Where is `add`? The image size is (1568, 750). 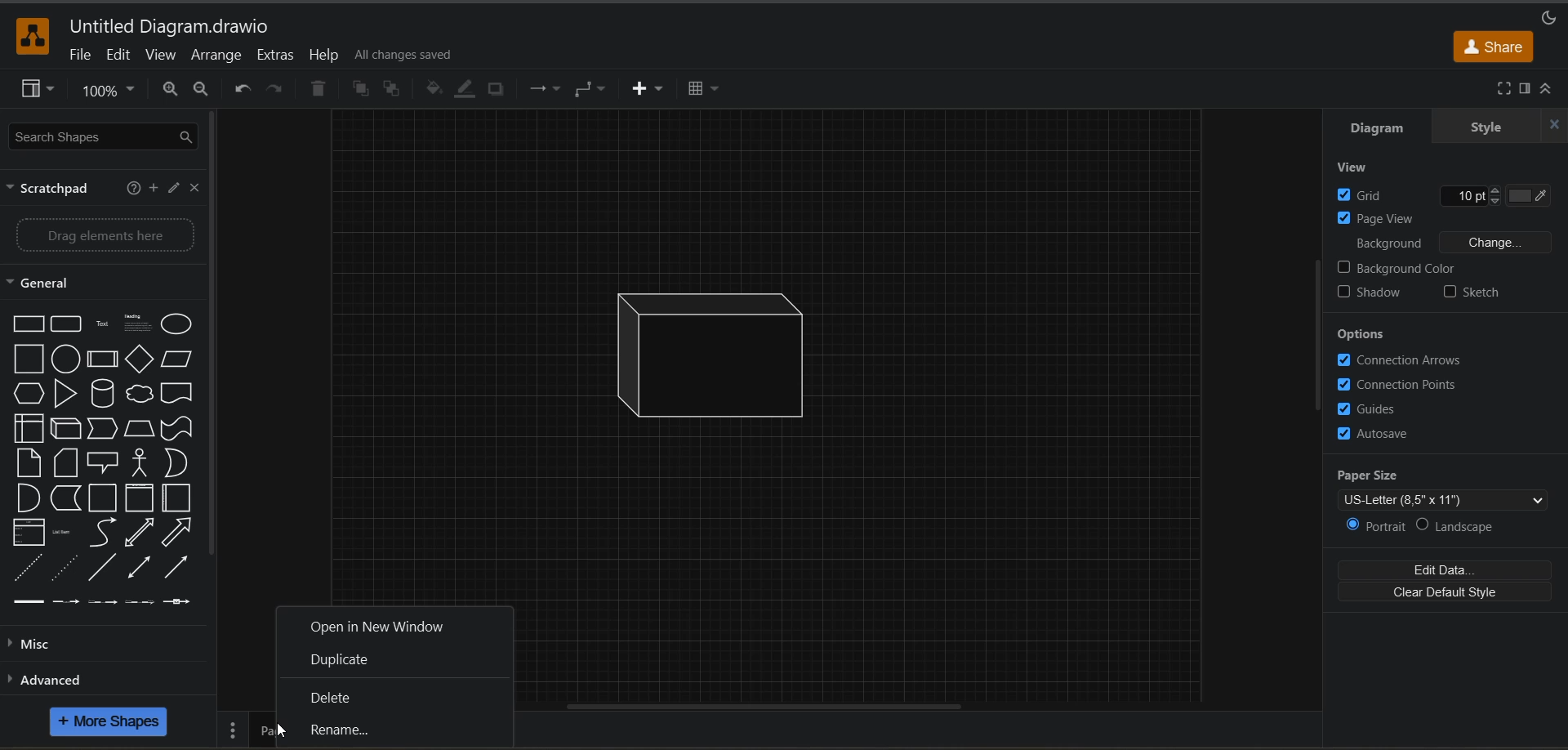 add is located at coordinates (151, 188).